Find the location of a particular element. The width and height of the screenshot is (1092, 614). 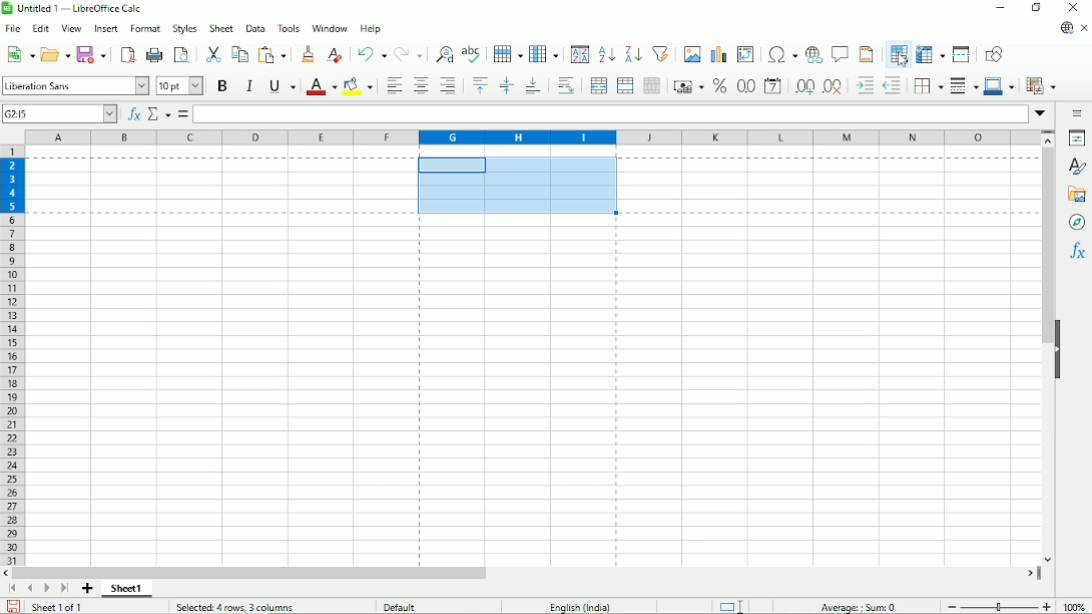

Title is located at coordinates (76, 9).